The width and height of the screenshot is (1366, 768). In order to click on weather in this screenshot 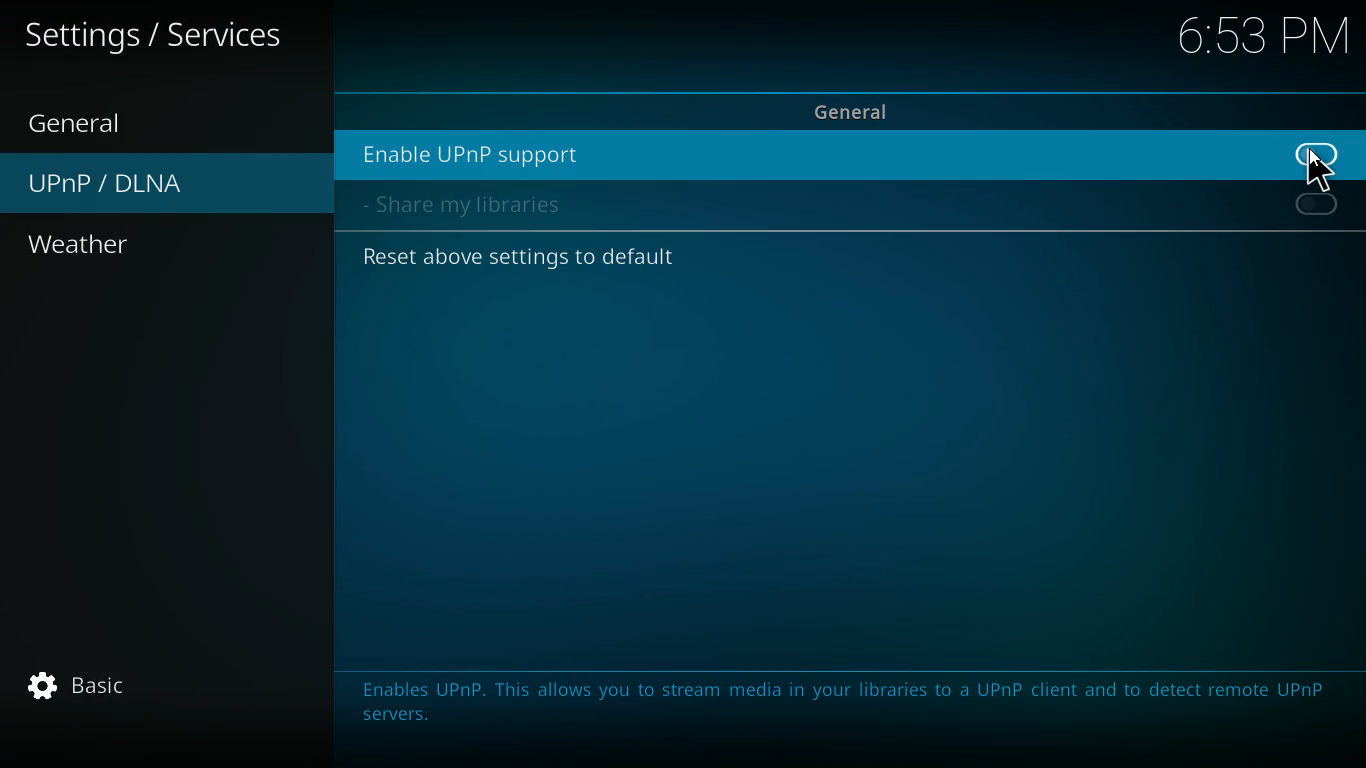, I will do `click(109, 246)`.